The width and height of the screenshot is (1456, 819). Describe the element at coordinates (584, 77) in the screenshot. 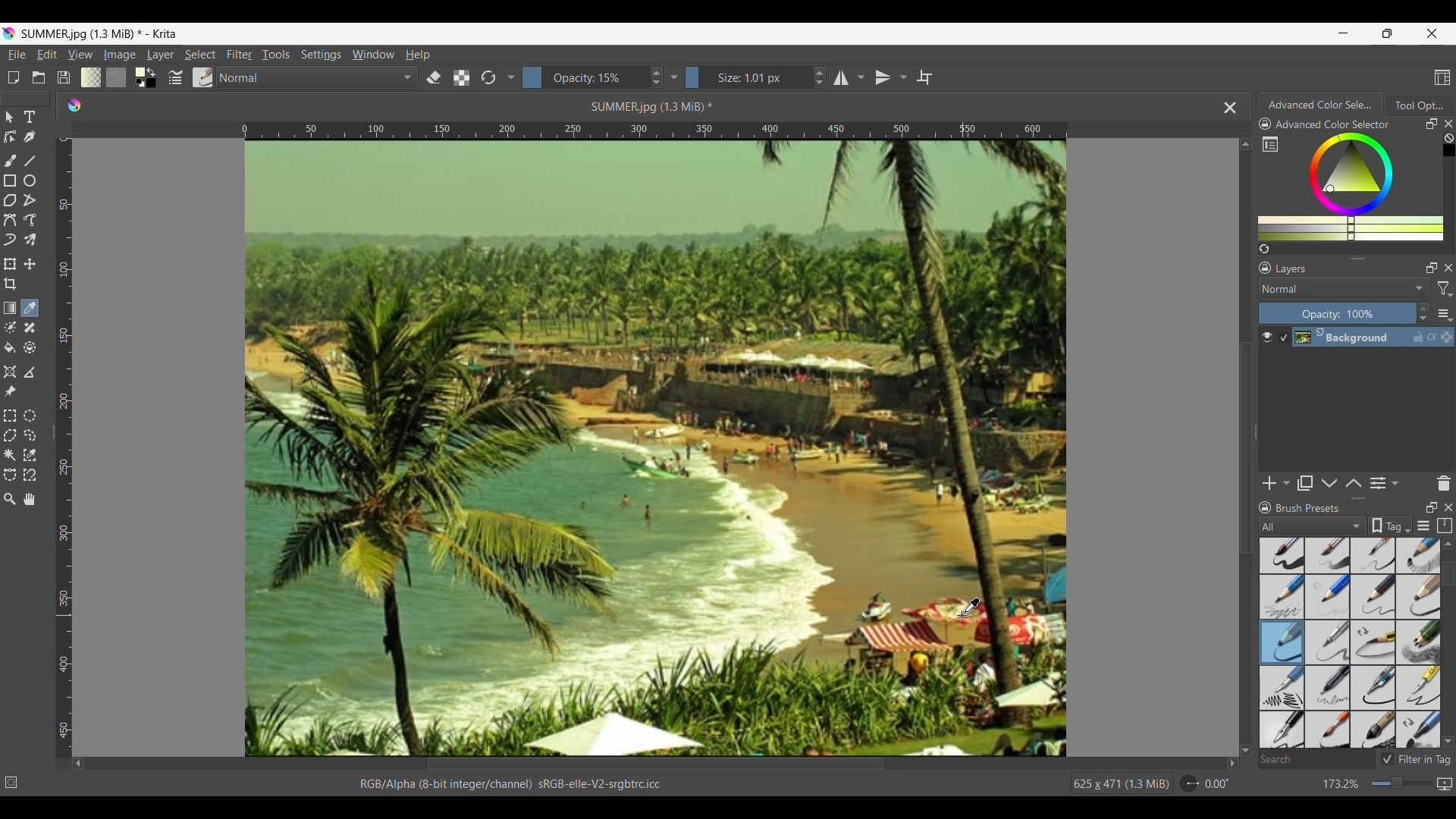

I see `Opacity: 15%` at that location.